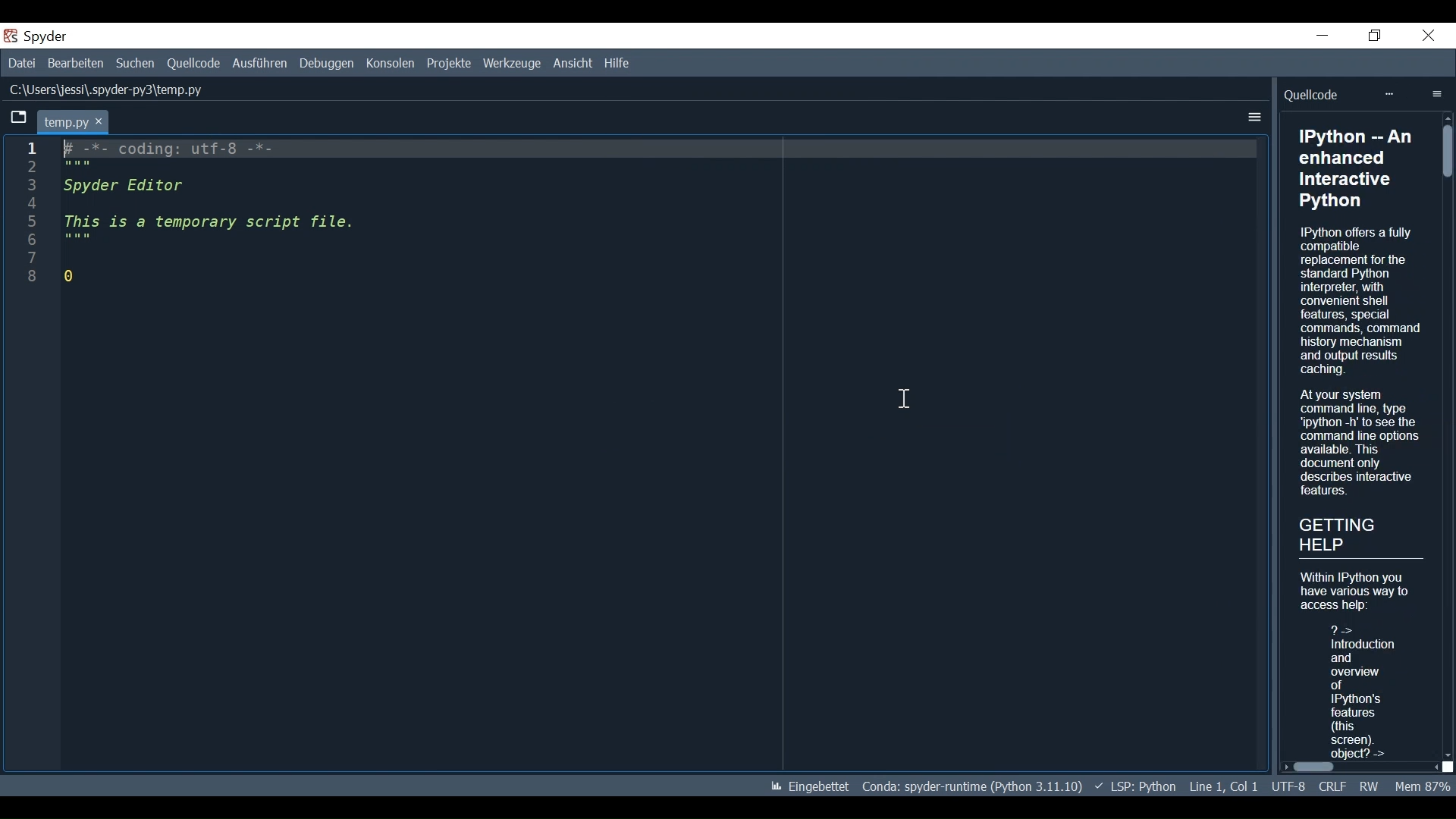 Image resolution: width=1456 pixels, height=819 pixels. Describe the element at coordinates (617, 63) in the screenshot. I see `Help` at that location.